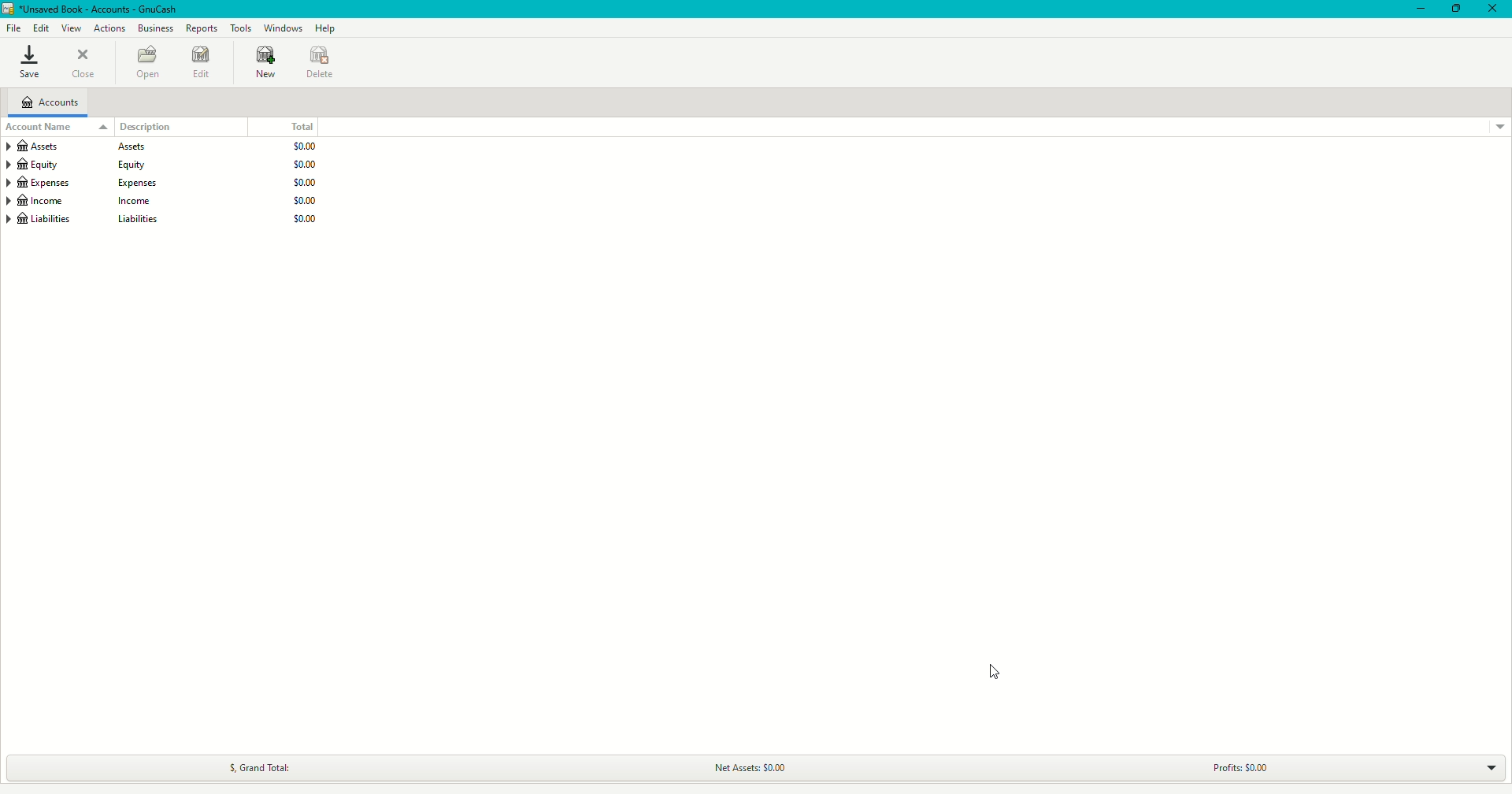  Describe the element at coordinates (202, 63) in the screenshot. I see `Edit` at that location.